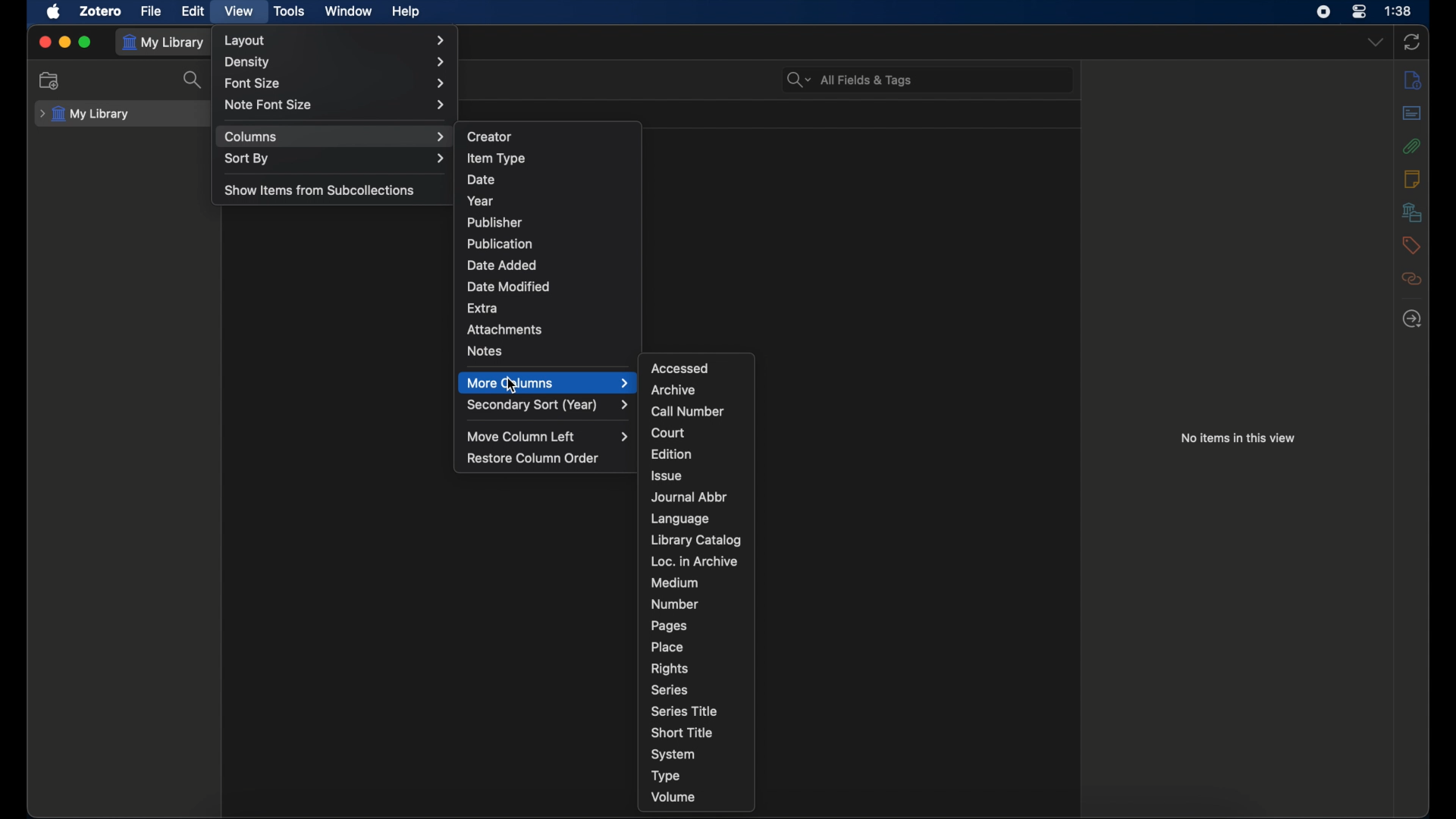  What do you see at coordinates (152, 11) in the screenshot?
I see `file` at bounding box center [152, 11].